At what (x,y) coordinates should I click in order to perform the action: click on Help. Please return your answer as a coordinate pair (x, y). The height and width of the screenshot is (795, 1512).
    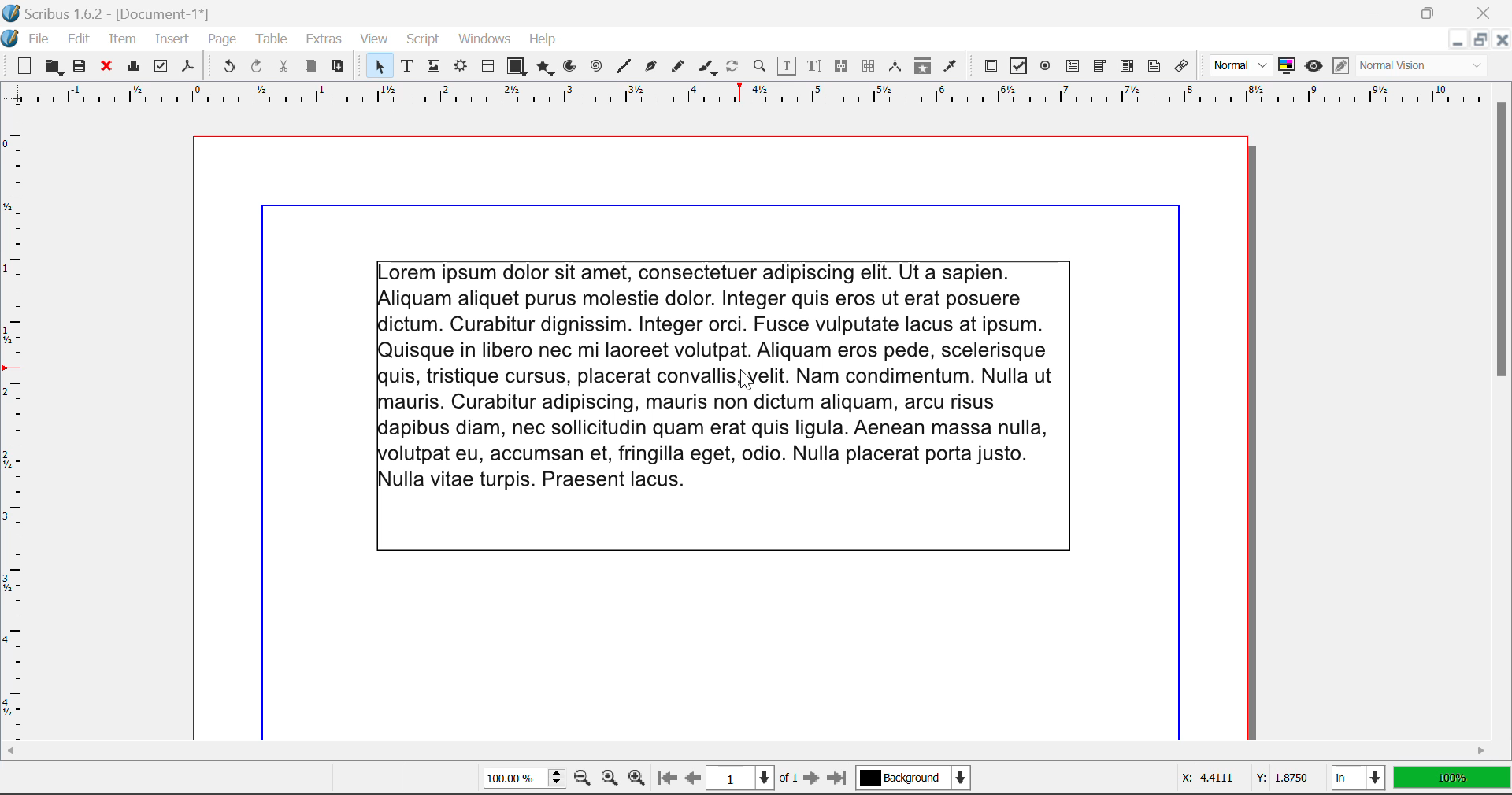
    Looking at the image, I should click on (543, 39).